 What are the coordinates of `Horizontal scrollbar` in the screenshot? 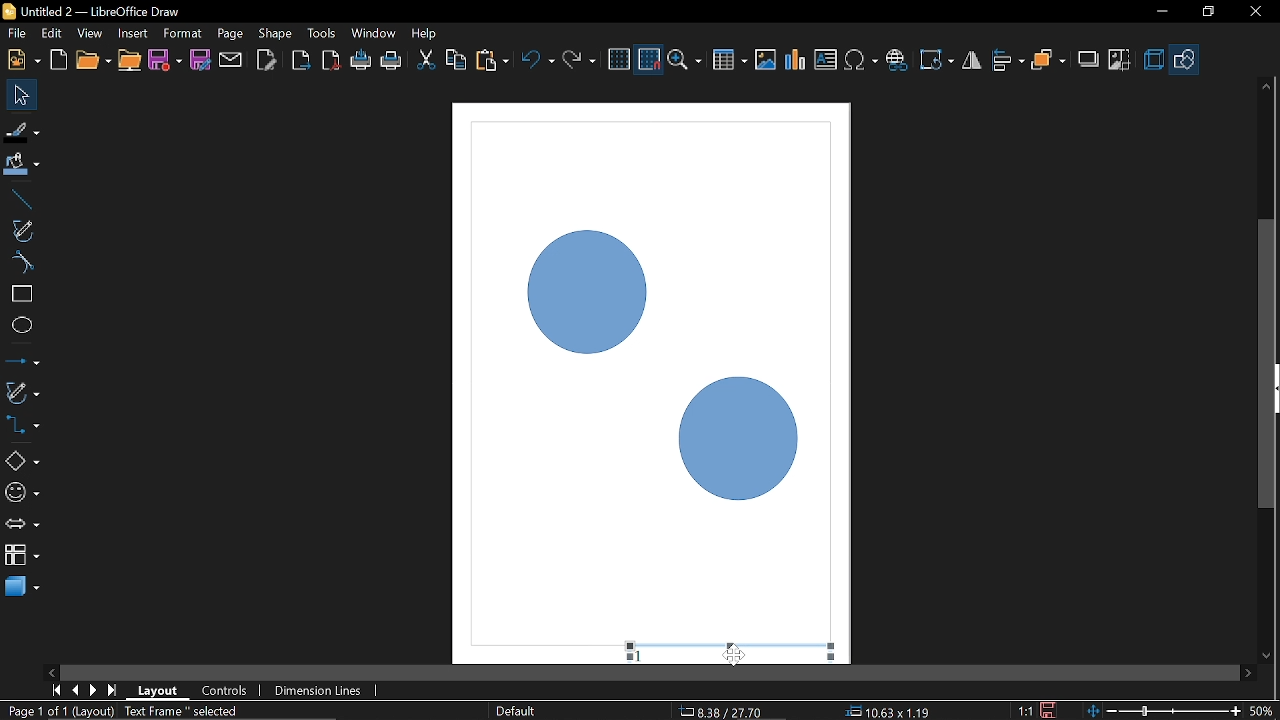 It's located at (650, 673).